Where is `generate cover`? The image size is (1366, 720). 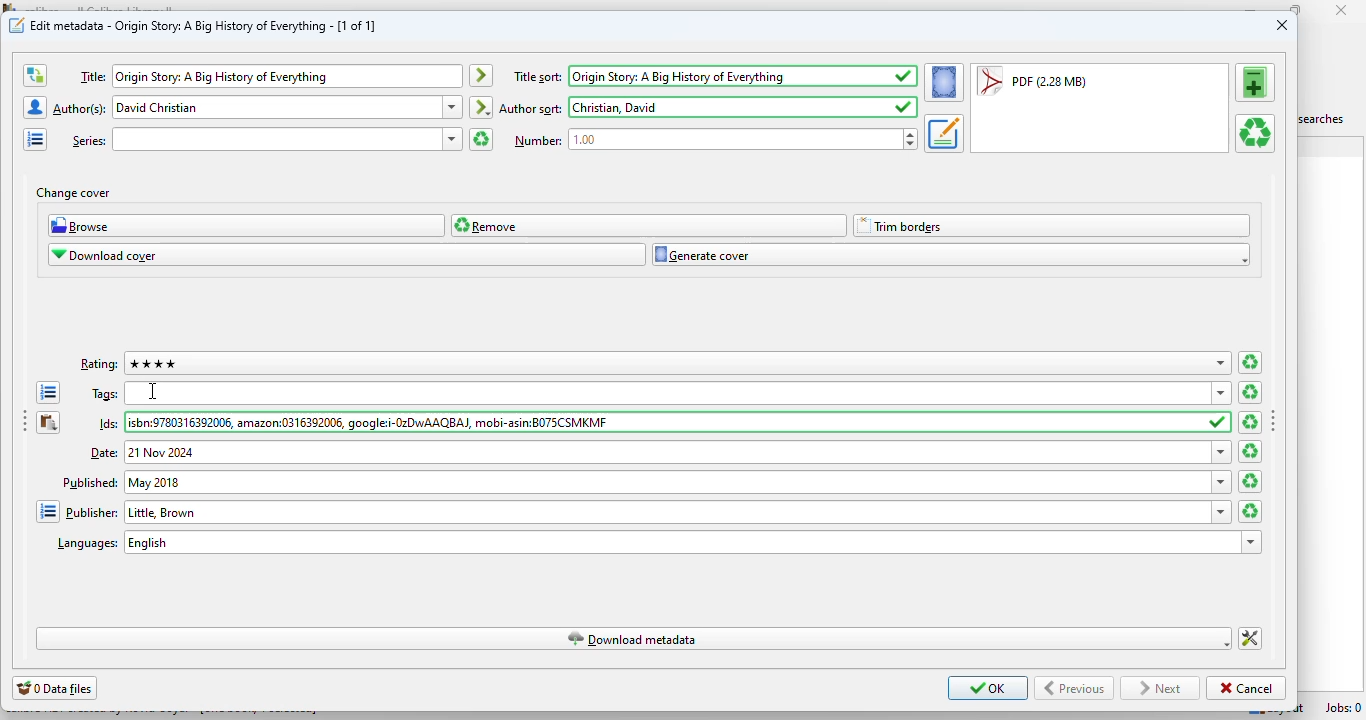 generate cover is located at coordinates (951, 255).